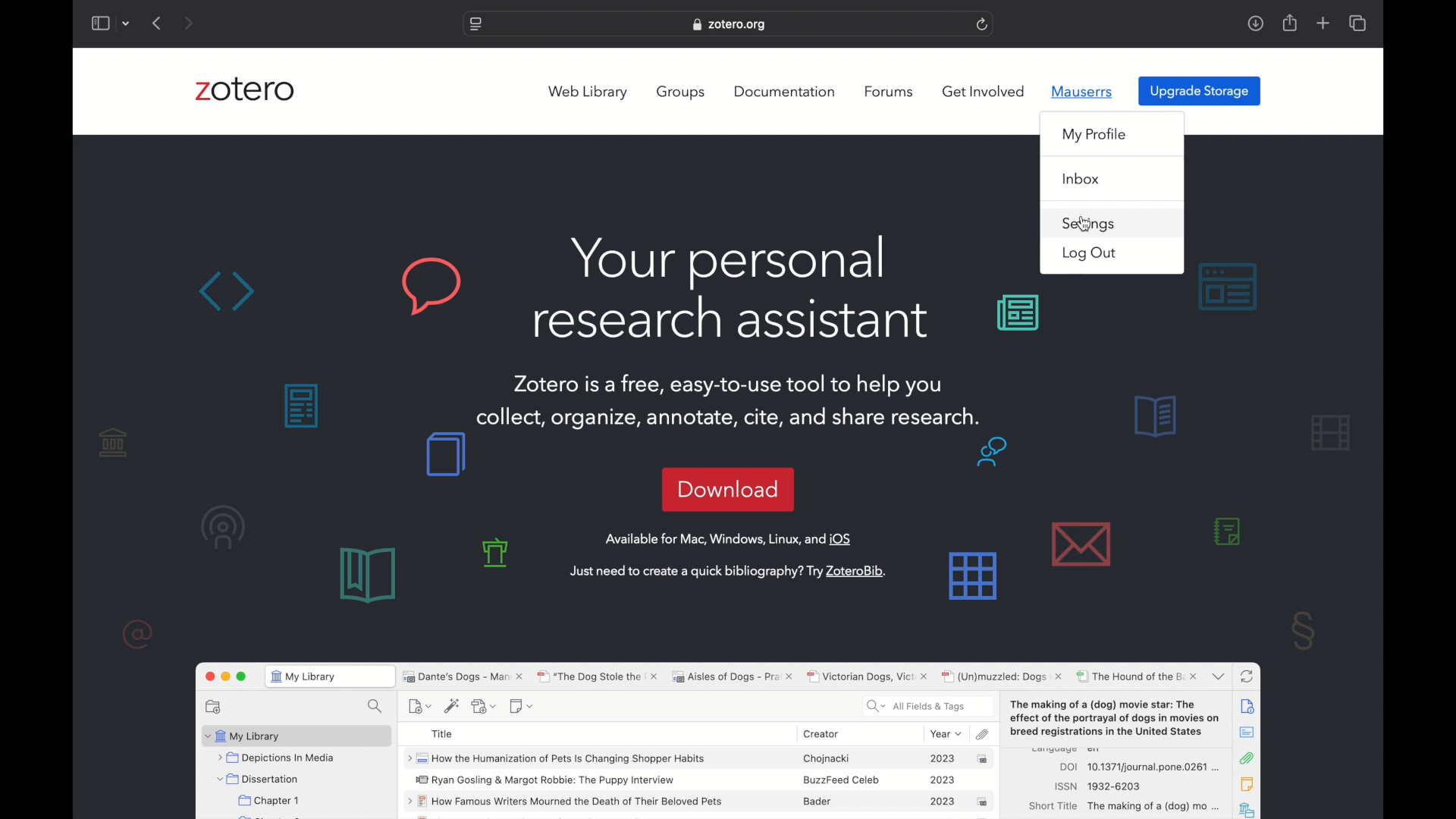  Describe the element at coordinates (682, 93) in the screenshot. I see `groups` at that location.